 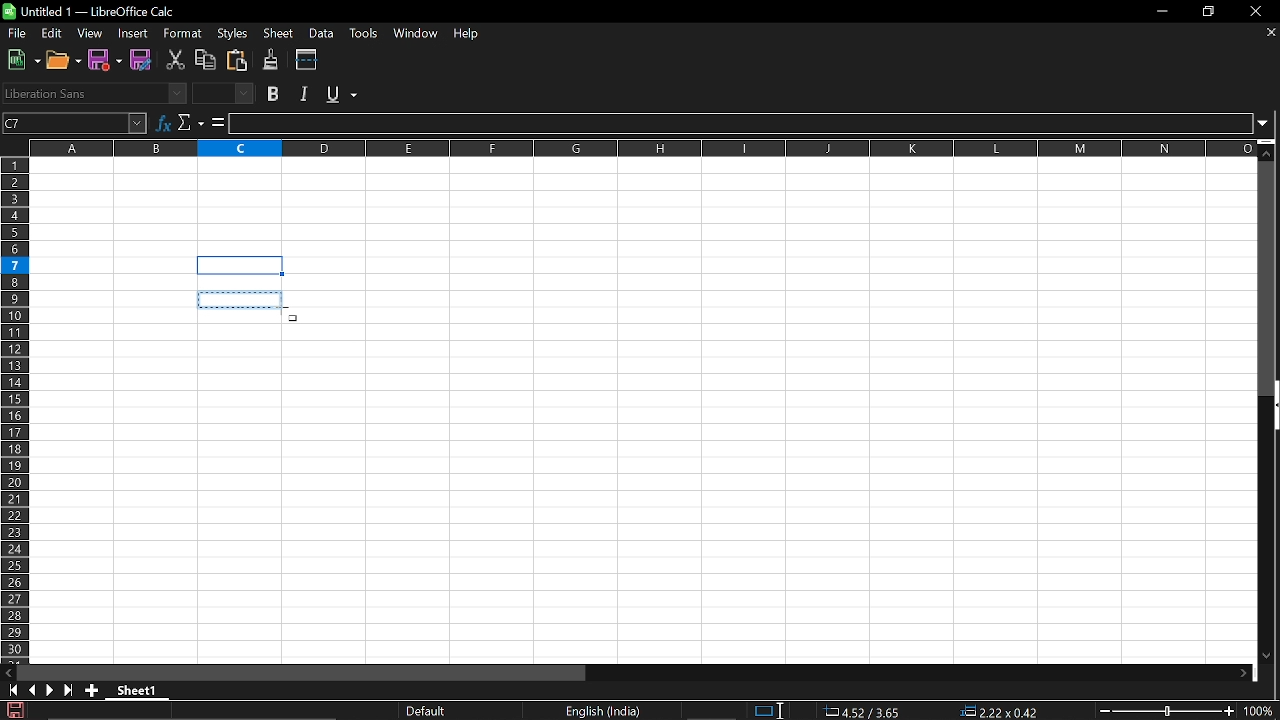 I want to click on Move down, so click(x=1267, y=657).